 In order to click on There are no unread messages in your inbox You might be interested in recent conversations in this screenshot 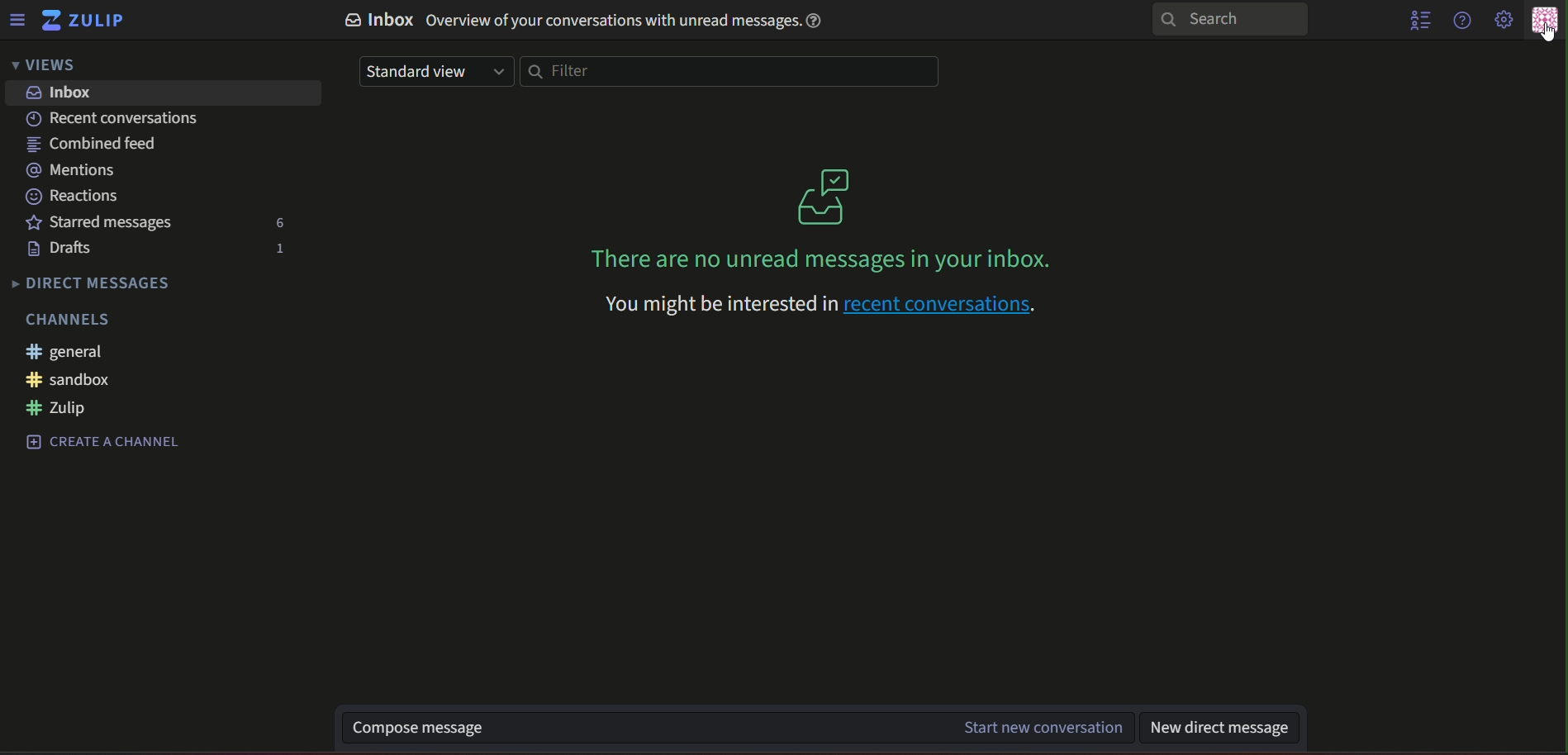, I will do `click(821, 288)`.